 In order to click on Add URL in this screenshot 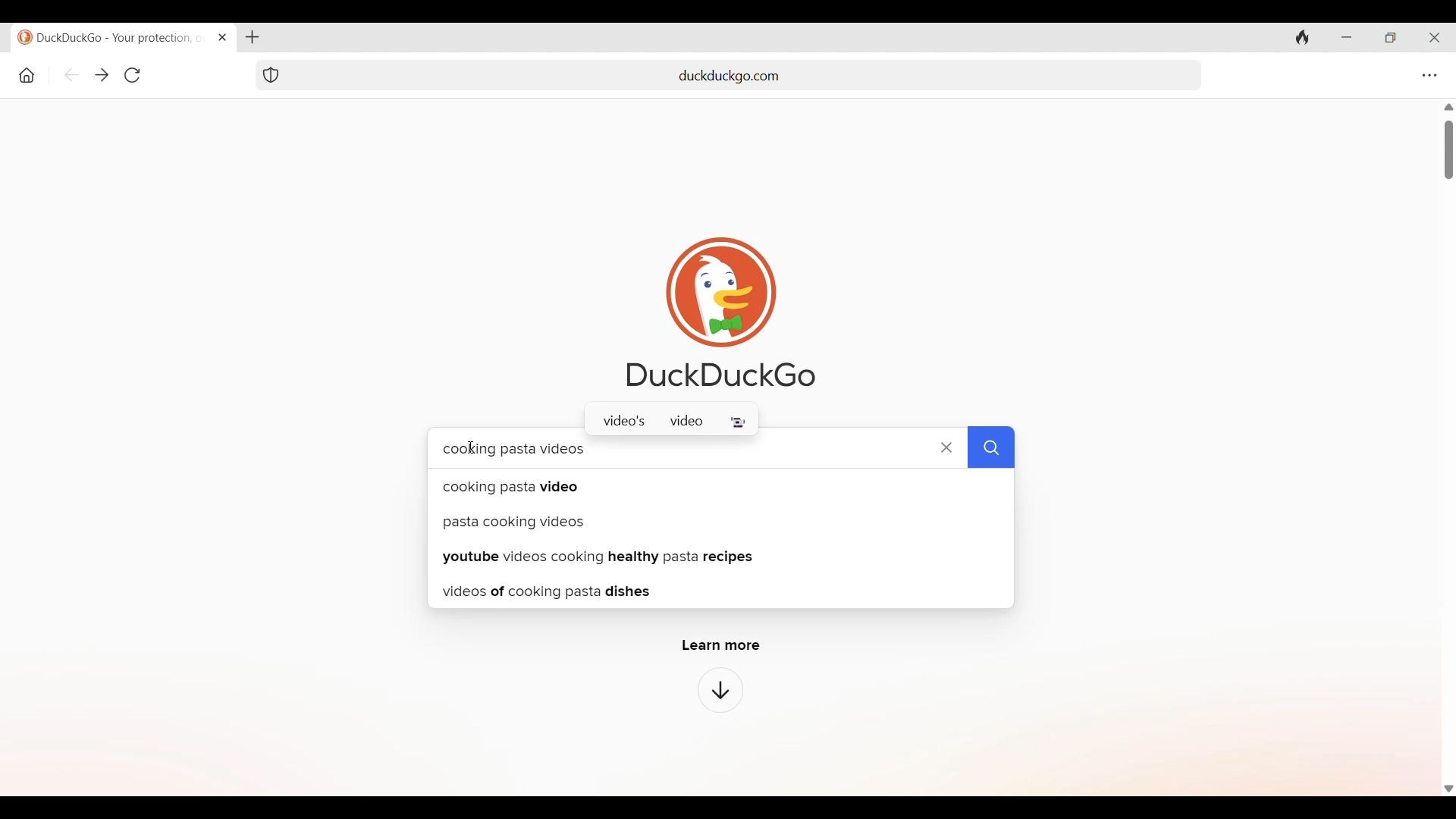, I will do `click(748, 74)`.